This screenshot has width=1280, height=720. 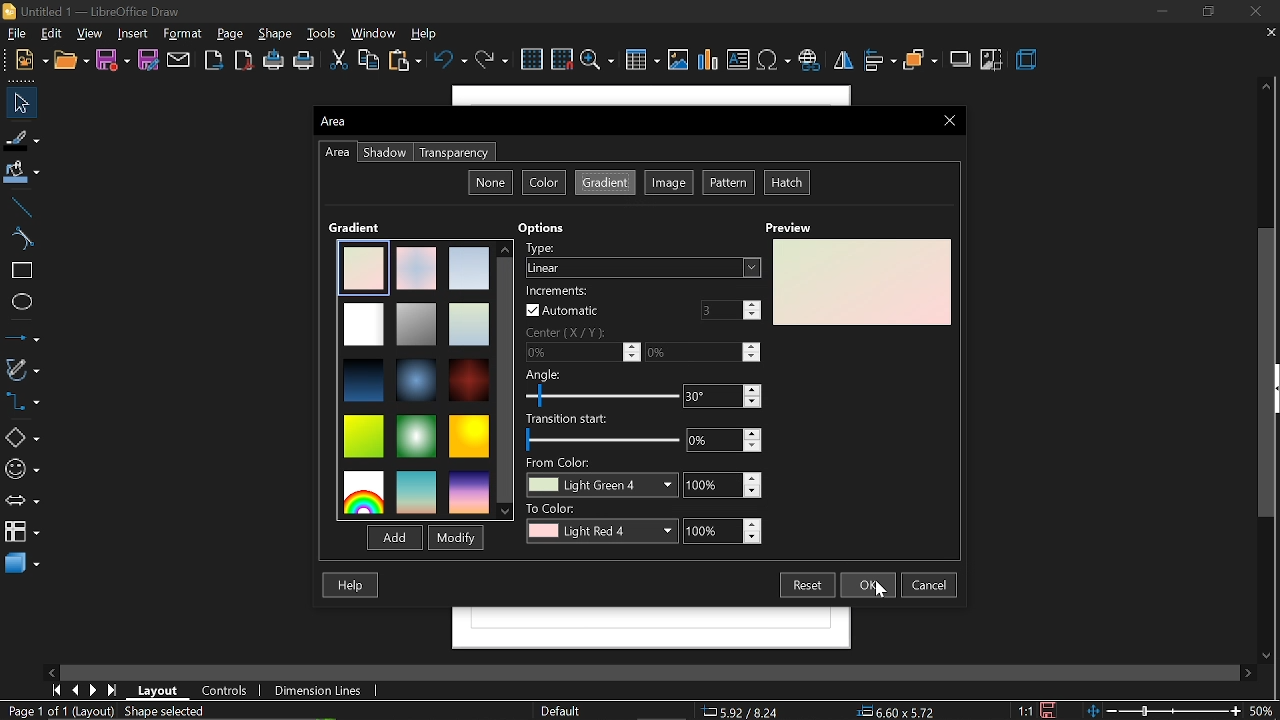 I want to click on page style, so click(x=559, y=710).